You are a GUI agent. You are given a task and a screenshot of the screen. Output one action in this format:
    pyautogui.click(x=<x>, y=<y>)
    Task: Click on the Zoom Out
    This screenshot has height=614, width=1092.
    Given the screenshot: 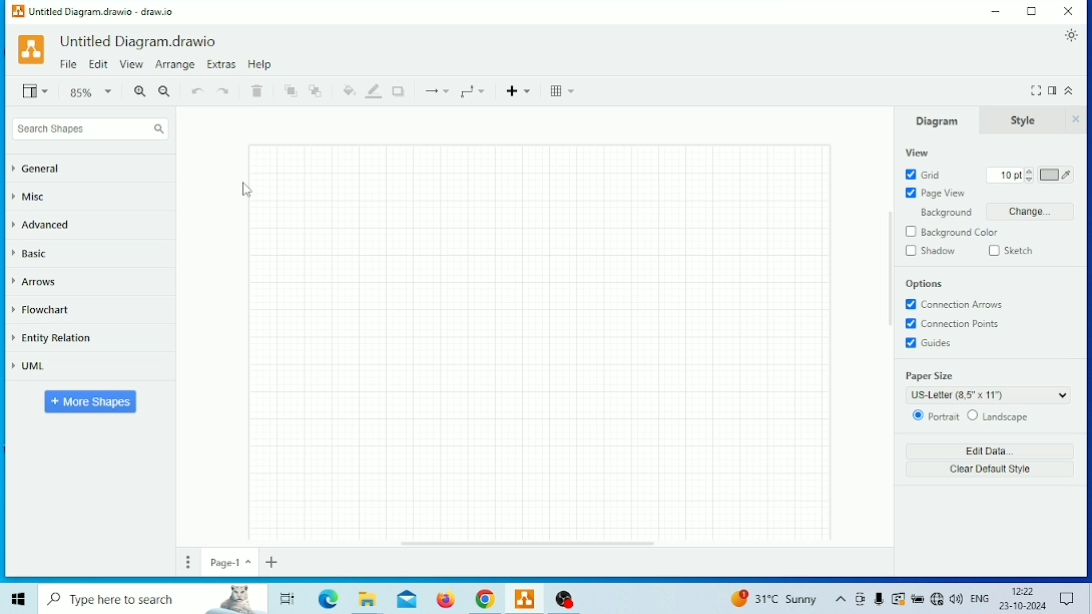 What is the action you would take?
    pyautogui.click(x=165, y=94)
    